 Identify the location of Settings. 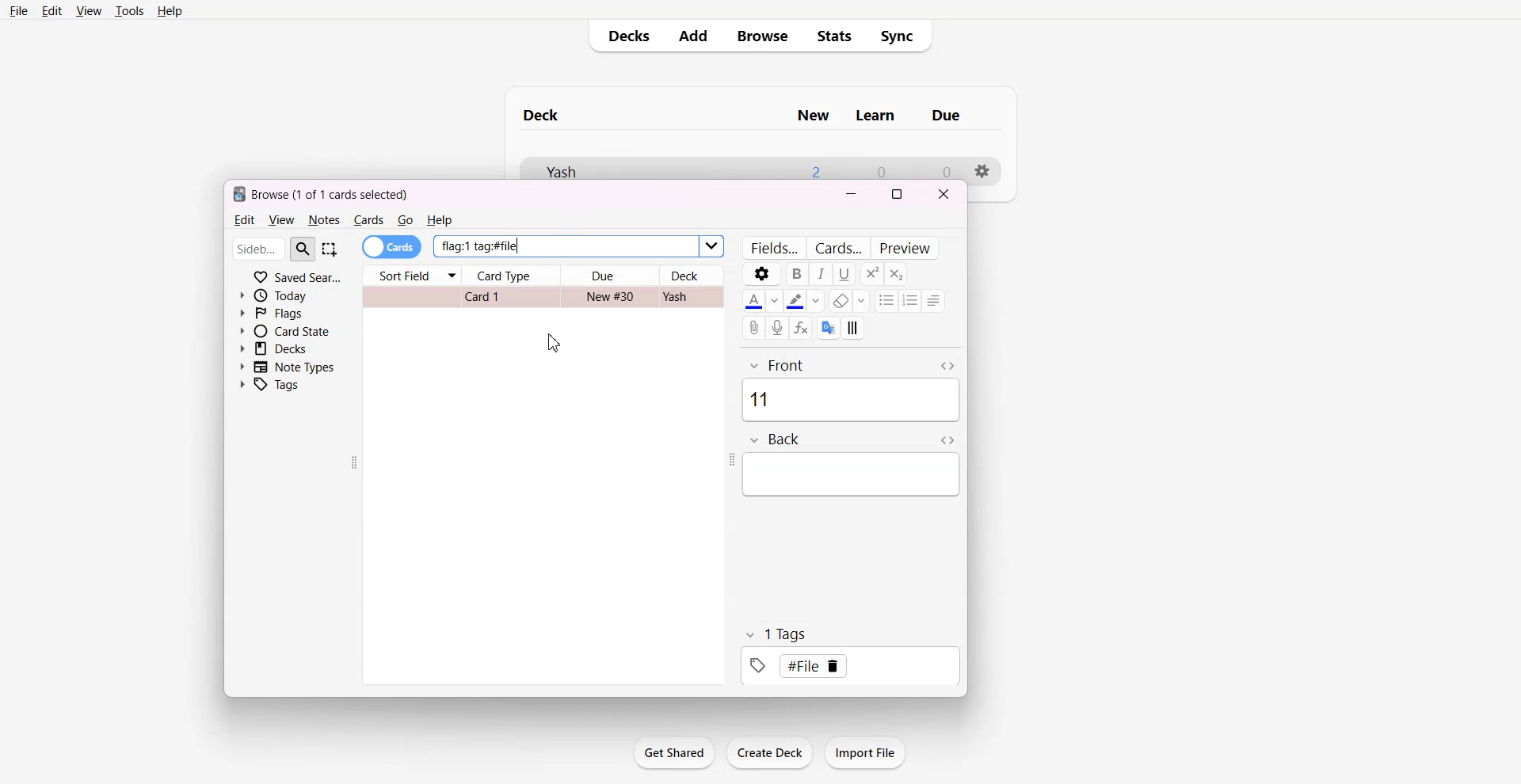
(760, 274).